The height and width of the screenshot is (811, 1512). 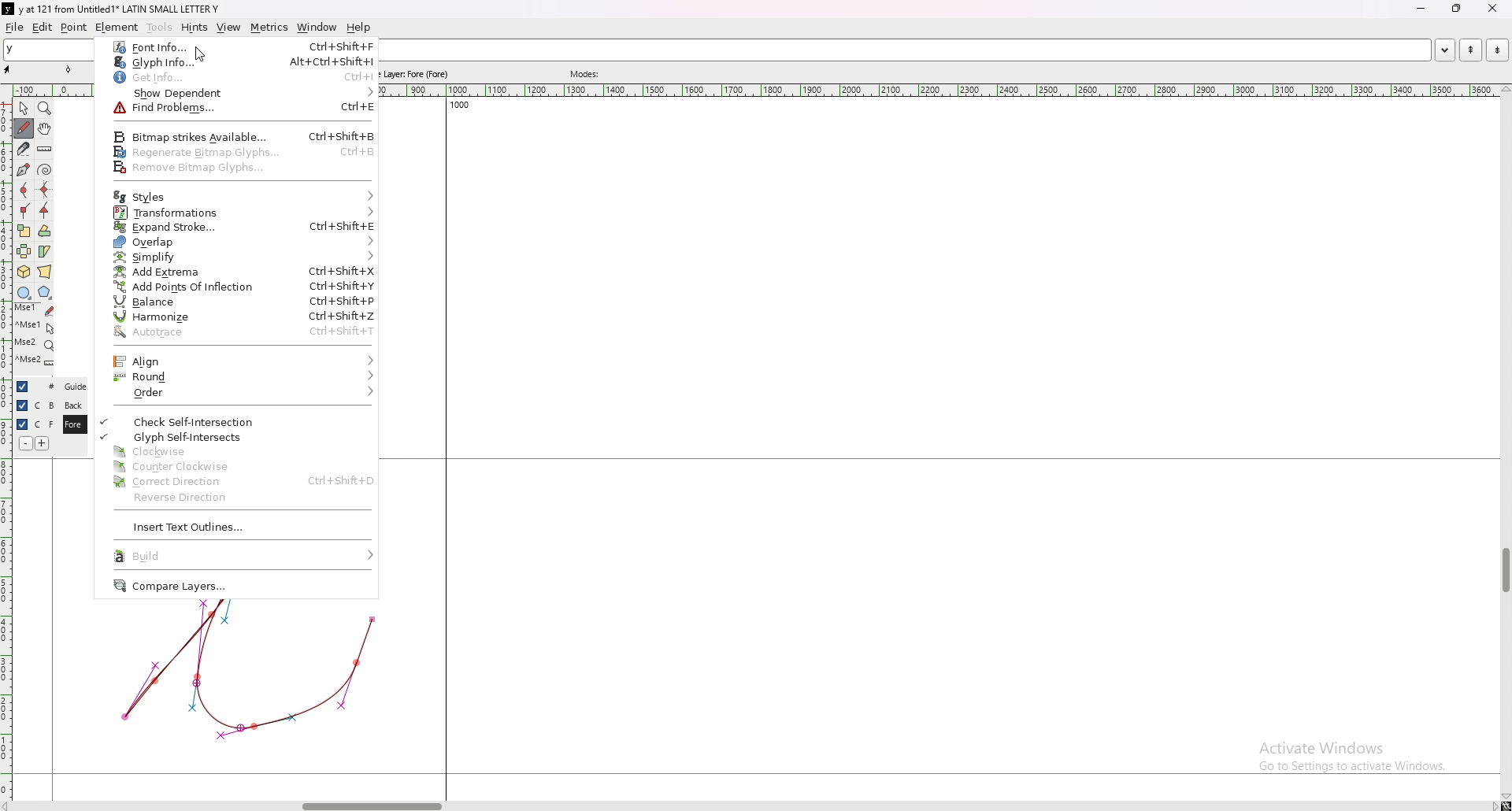 I want to click on scroll down, so click(x=1505, y=797).